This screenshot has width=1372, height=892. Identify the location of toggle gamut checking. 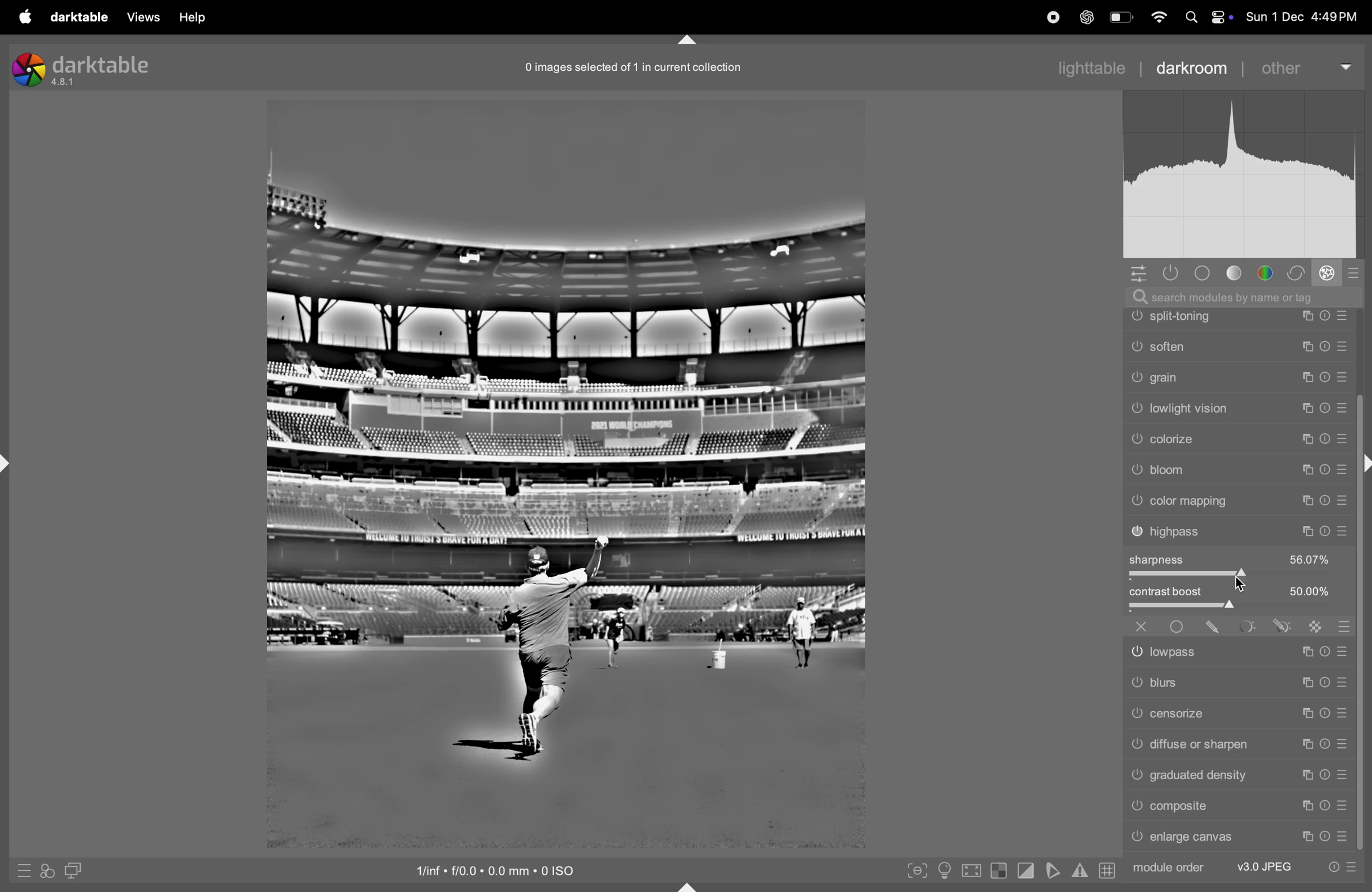
(1080, 869).